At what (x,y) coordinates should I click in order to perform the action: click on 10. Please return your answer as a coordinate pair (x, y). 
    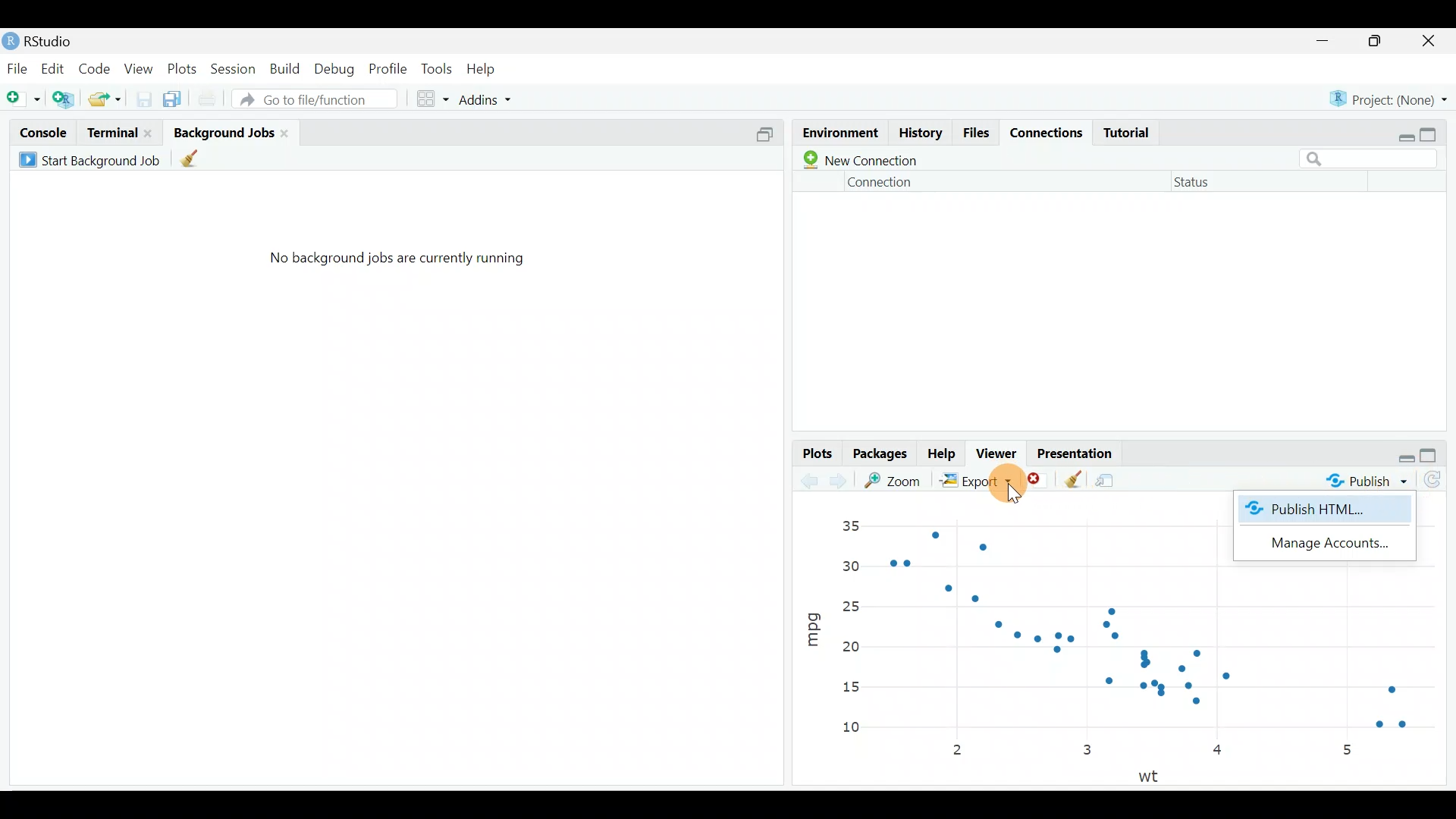
    Looking at the image, I should click on (859, 729).